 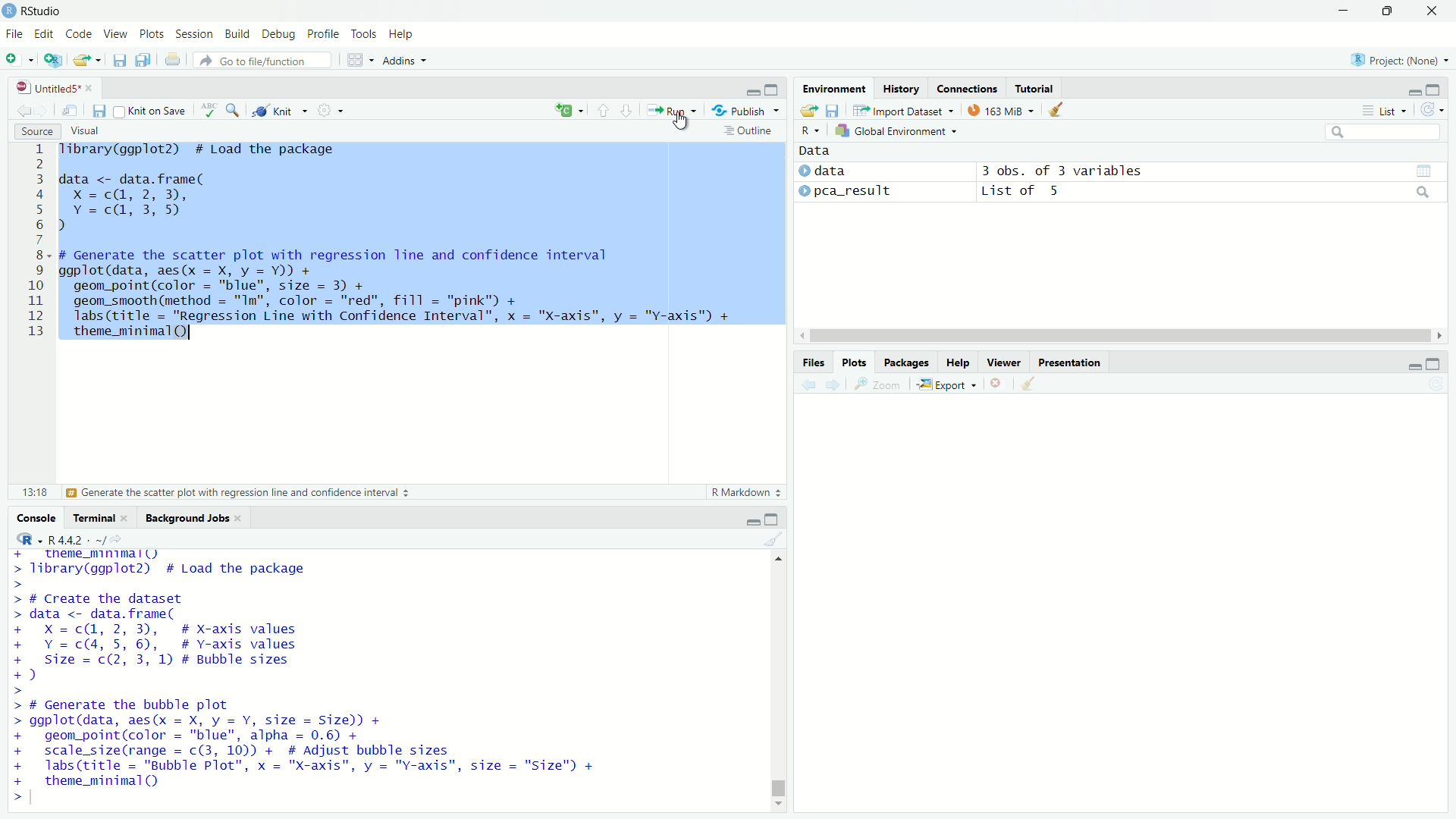 I want to click on minimize, so click(x=1343, y=11).